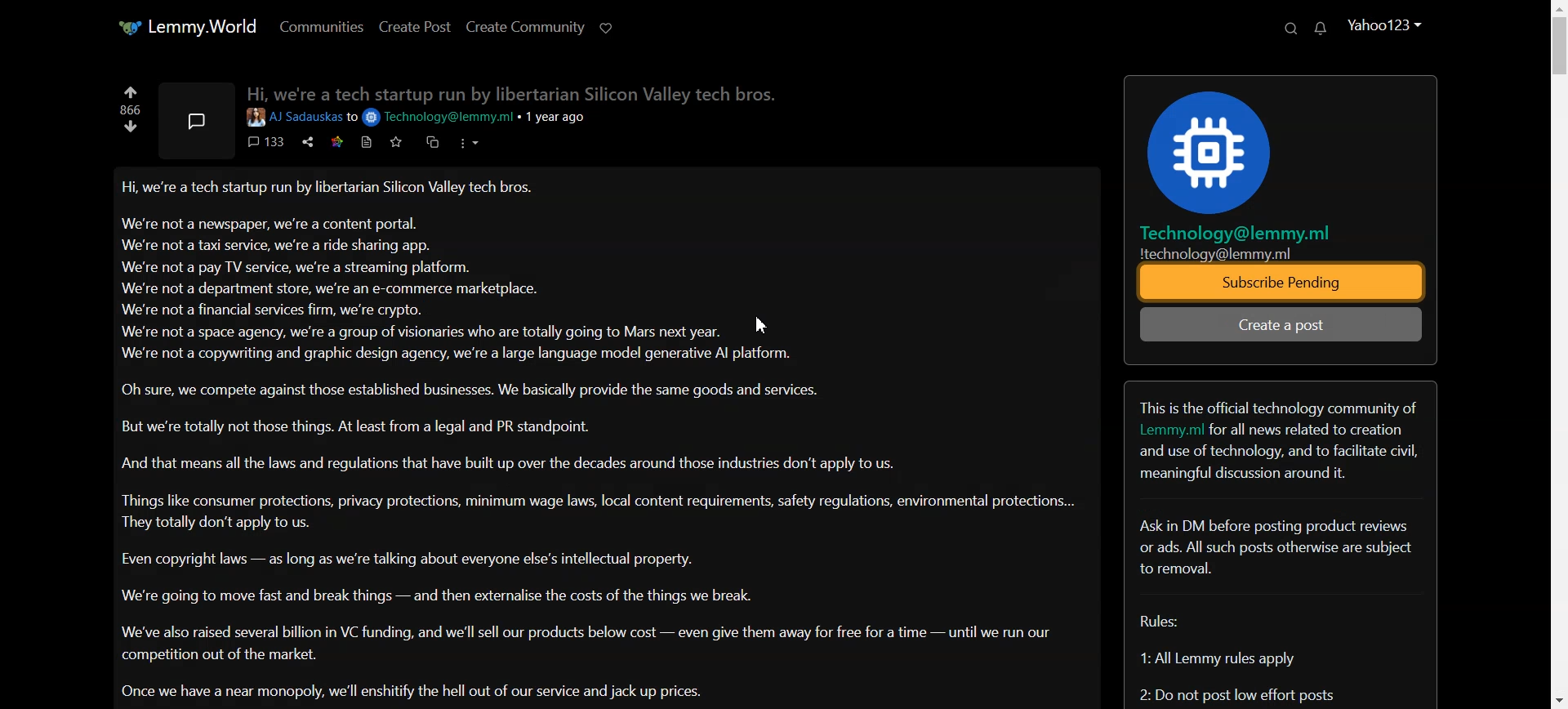 Image resolution: width=1568 pixels, height=709 pixels. Describe the element at coordinates (129, 109) in the screenshot. I see `866` at that location.